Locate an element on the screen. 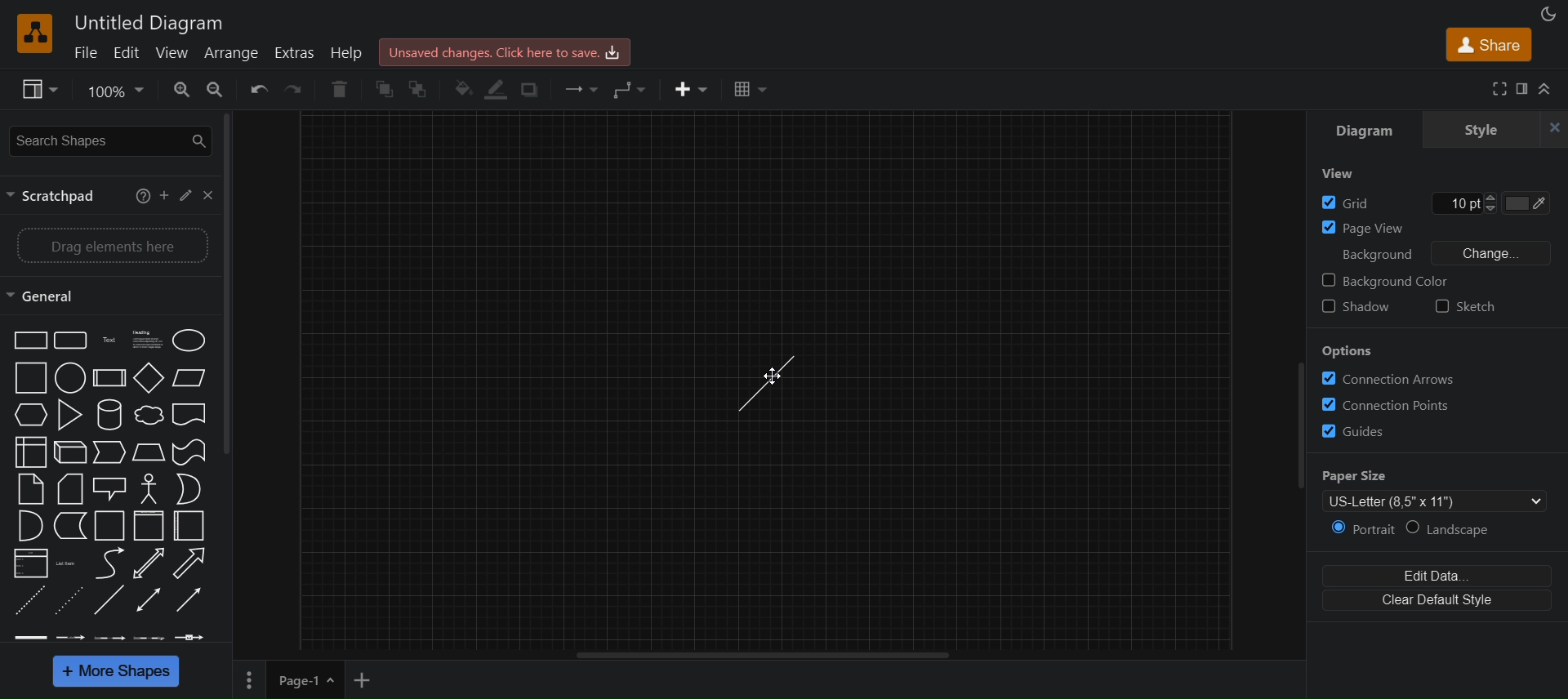 The height and width of the screenshot is (699, 1568). connection points is located at coordinates (1390, 403).